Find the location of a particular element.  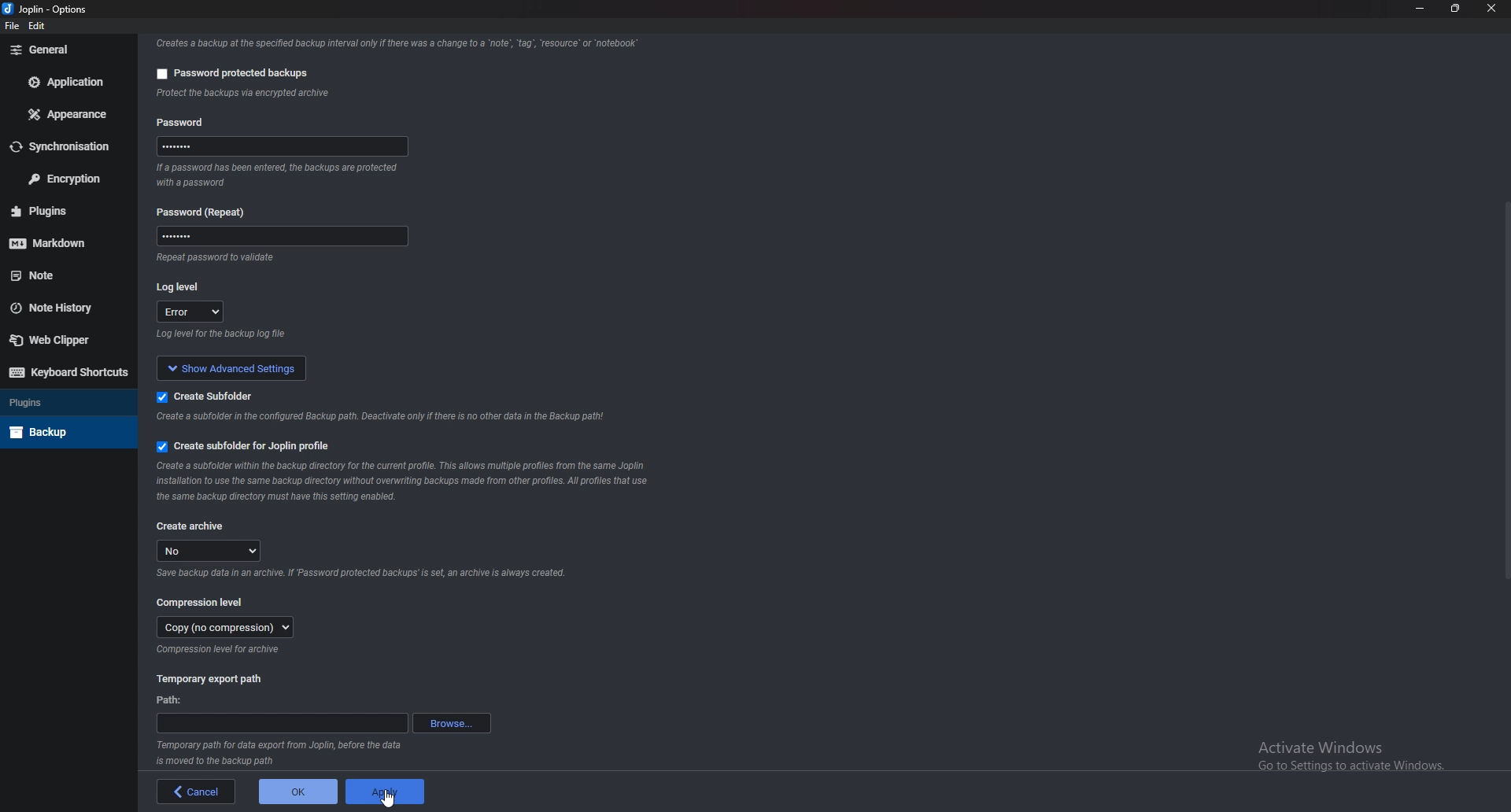

log level is located at coordinates (184, 286).